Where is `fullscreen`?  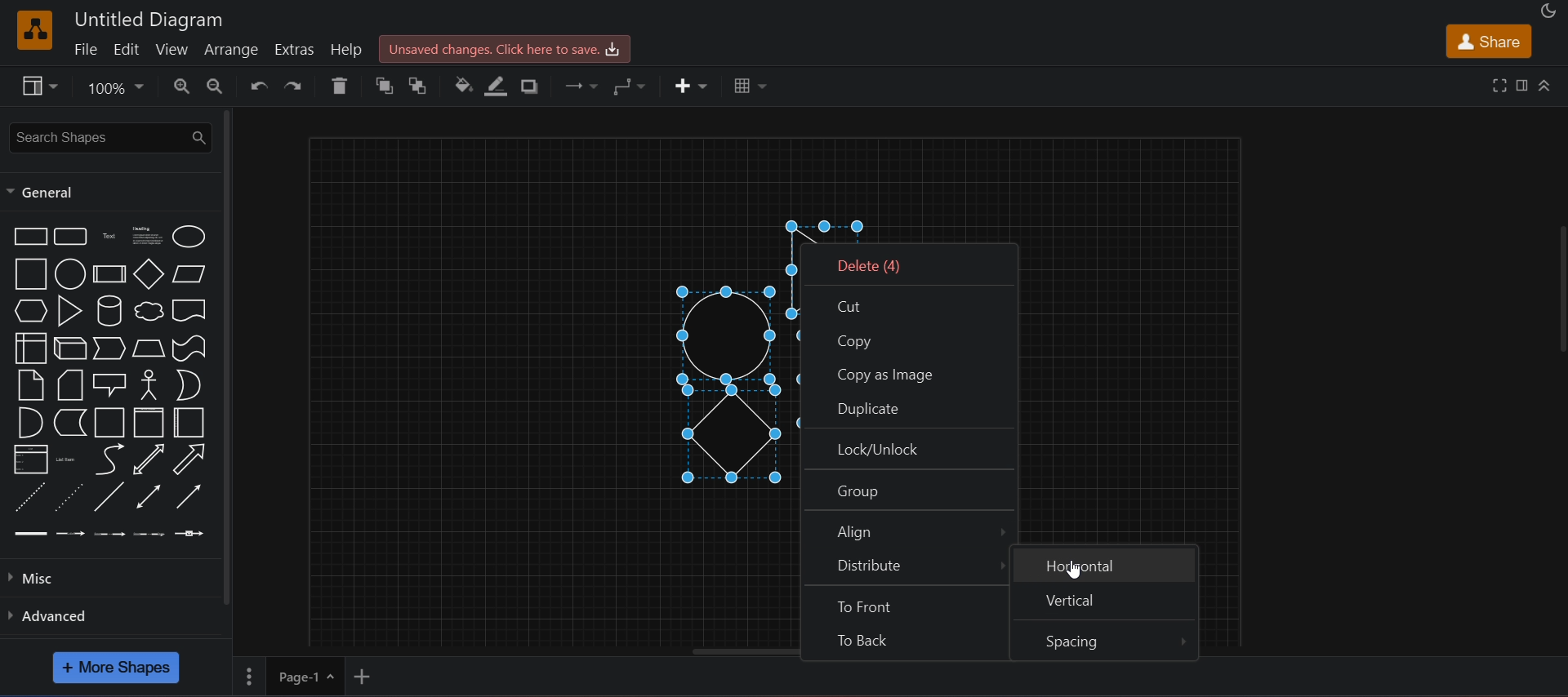
fullscreen is located at coordinates (1497, 85).